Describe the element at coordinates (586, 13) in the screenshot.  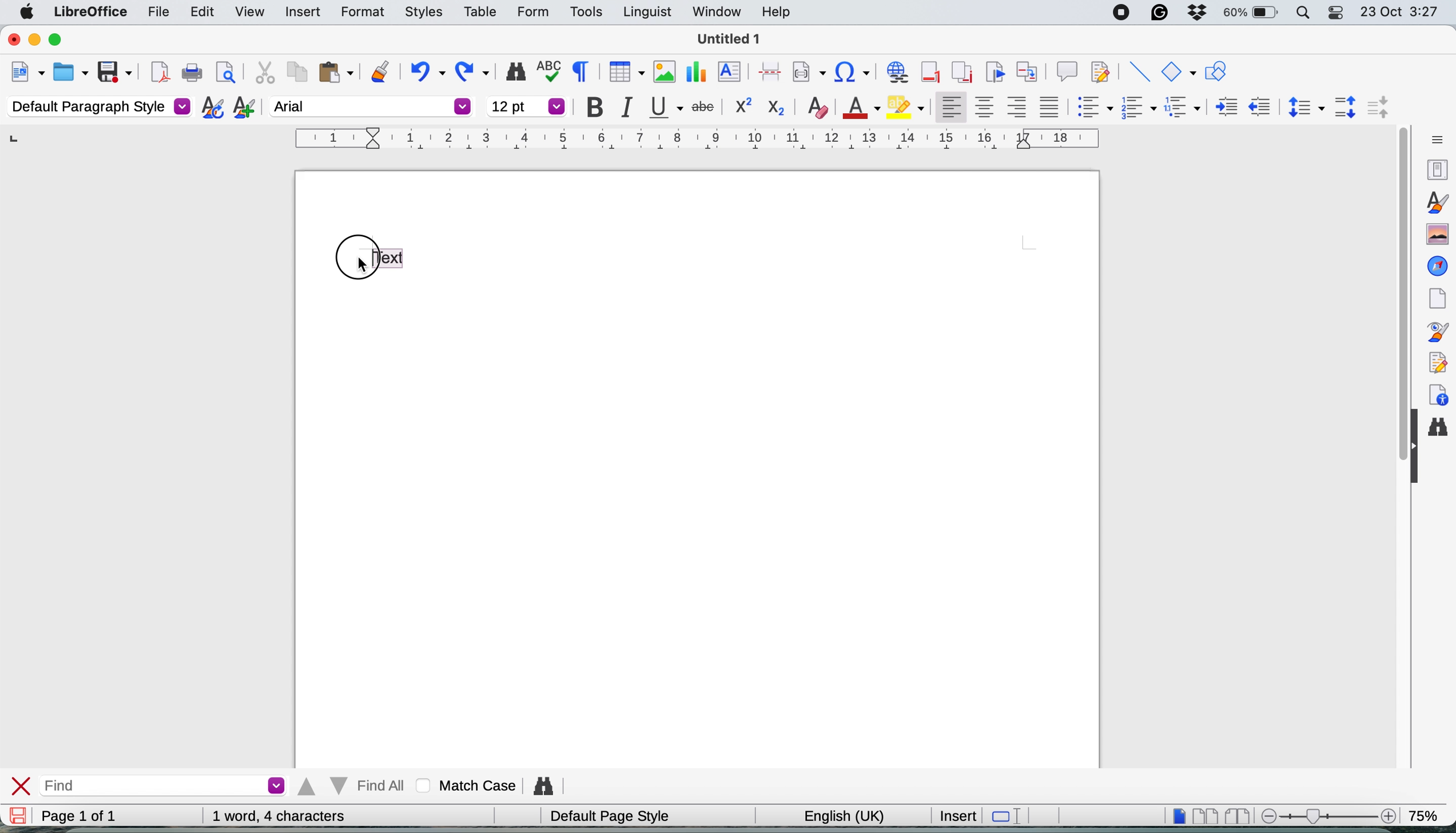
I see `tools` at that location.